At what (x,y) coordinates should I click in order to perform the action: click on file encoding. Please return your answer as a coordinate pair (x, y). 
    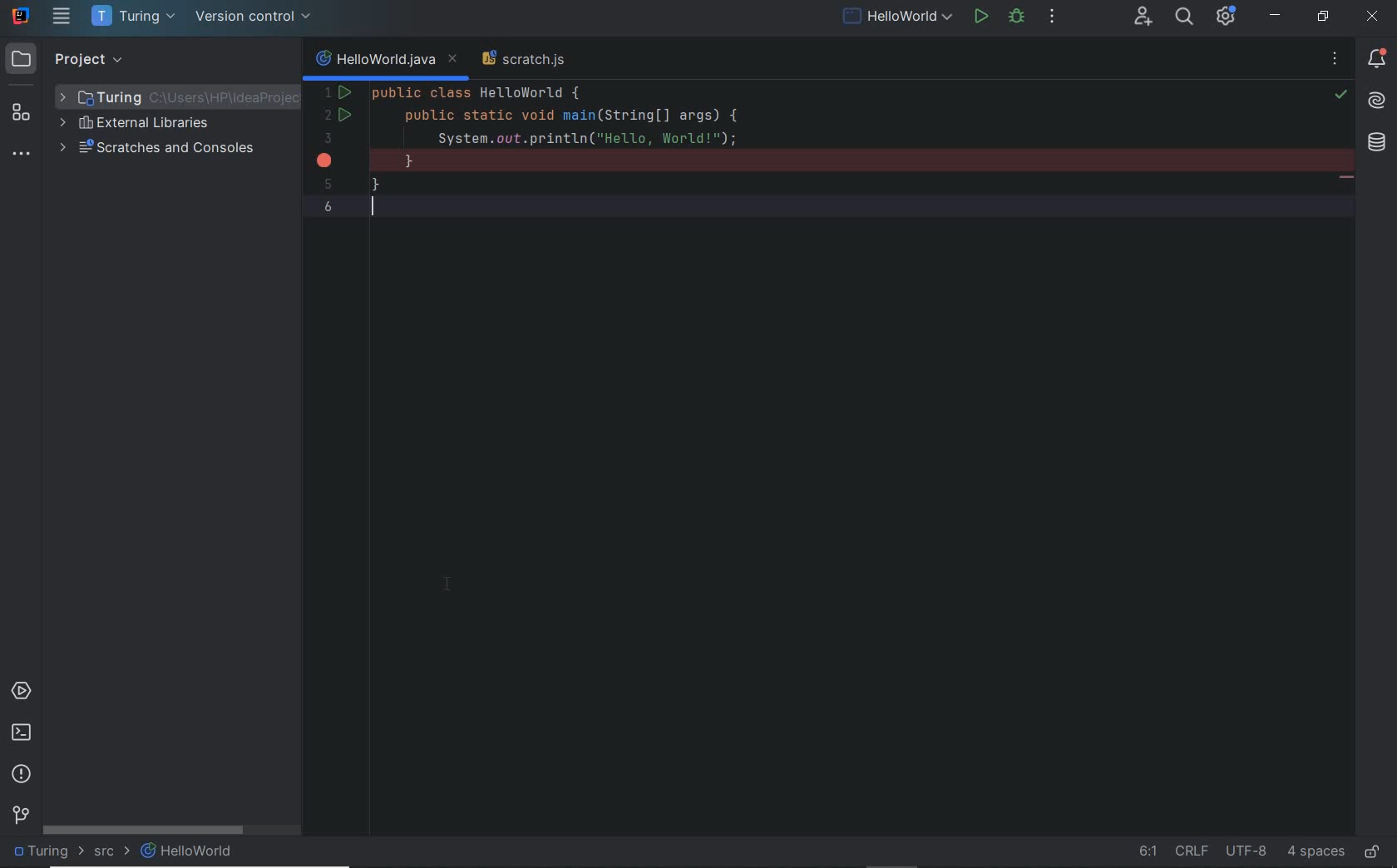
    Looking at the image, I should click on (1250, 850).